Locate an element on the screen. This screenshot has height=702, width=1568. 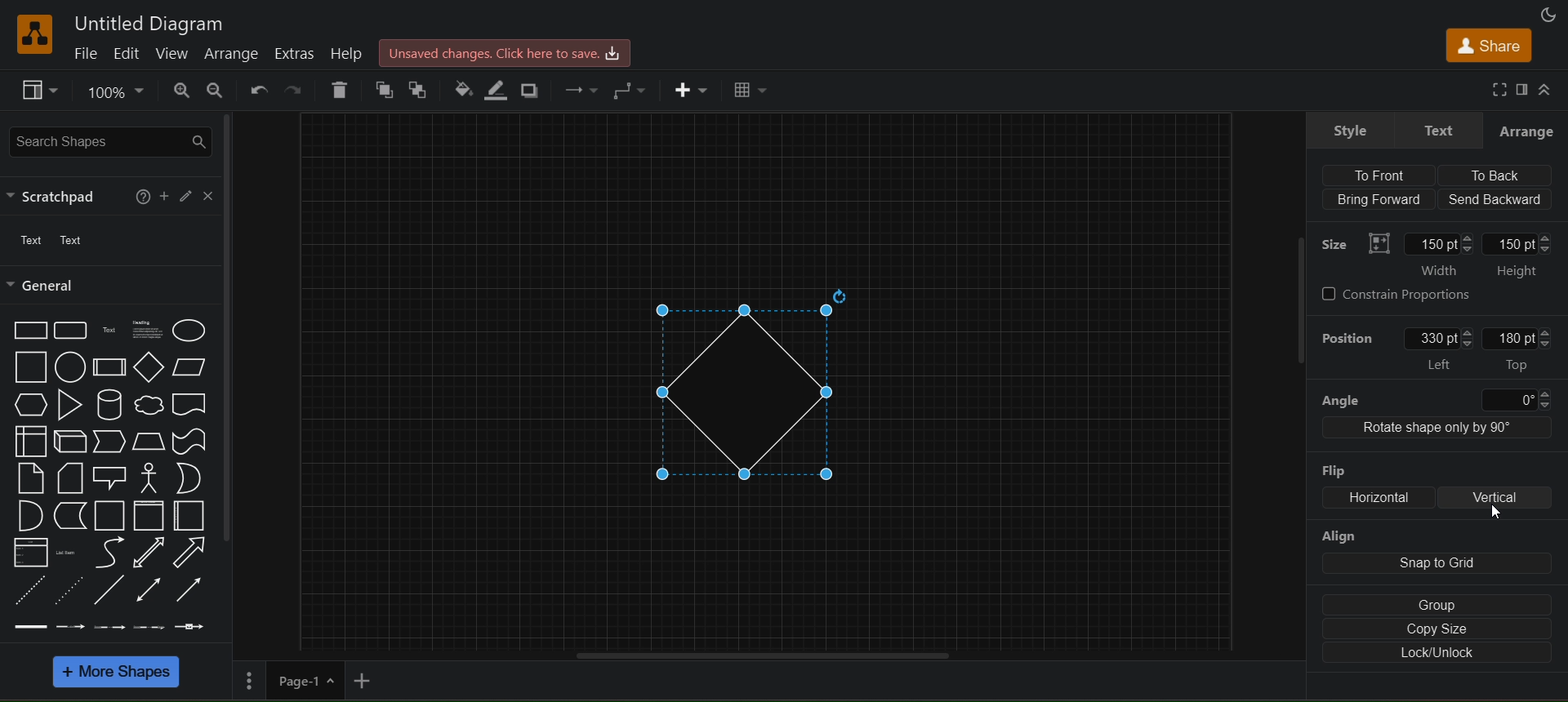
height is located at coordinates (1521, 257).